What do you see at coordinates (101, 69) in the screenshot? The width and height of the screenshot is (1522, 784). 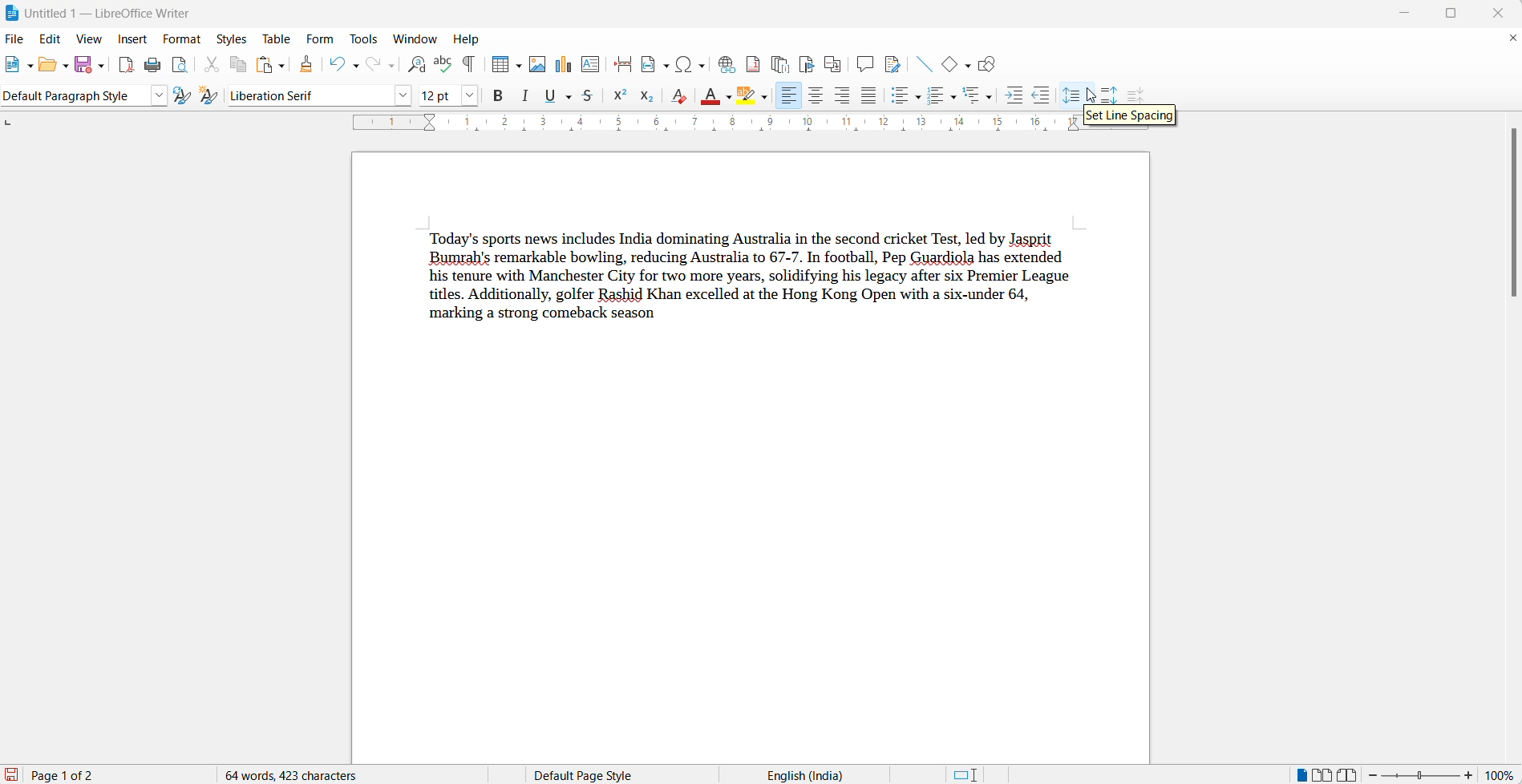 I see `save options` at bounding box center [101, 69].